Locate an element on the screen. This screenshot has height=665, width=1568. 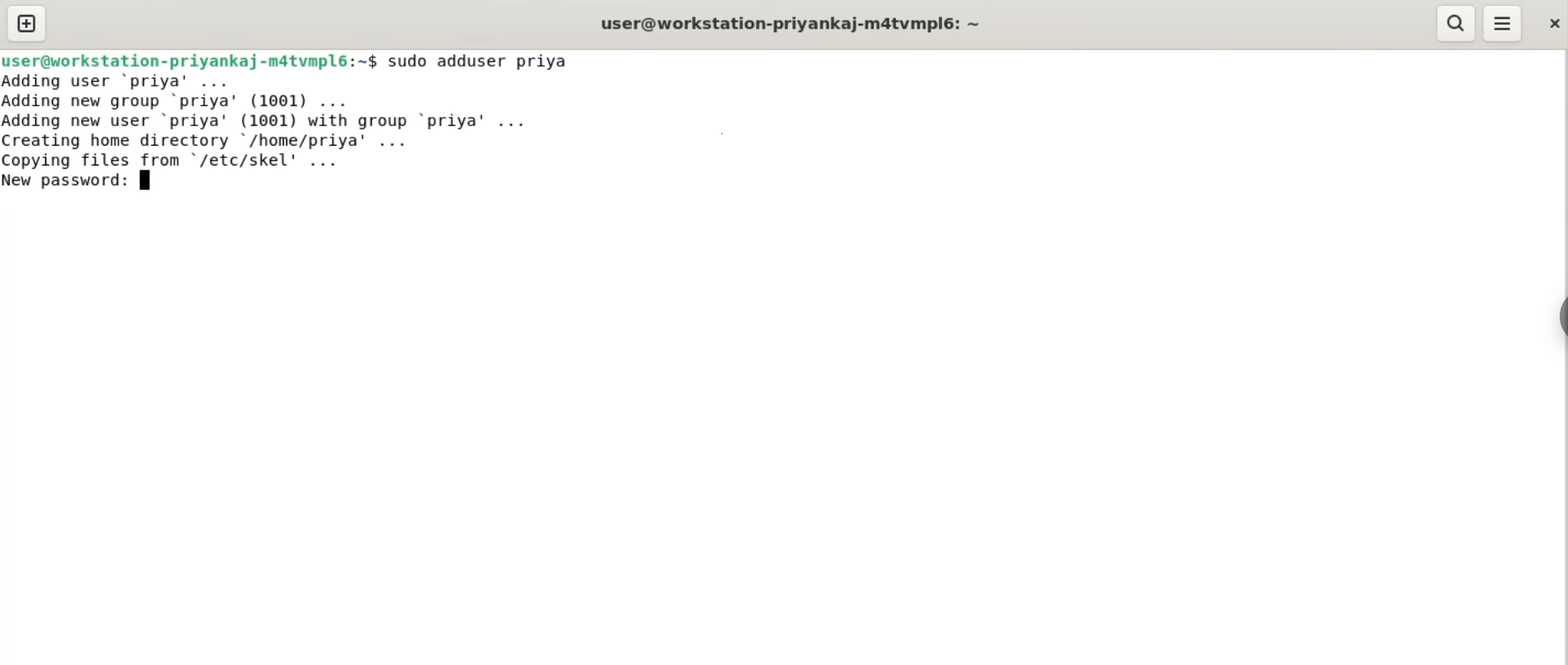
Adding user ‘priya’ ...

Adding new group ‘priya’ (1001) ...

Adding new user ‘priya' (1001) with group ‘priya’ ...
Creating home directory /home/priya’ ...

Copving files from "/etc/skel' ... is located at coordinates (318, 119).